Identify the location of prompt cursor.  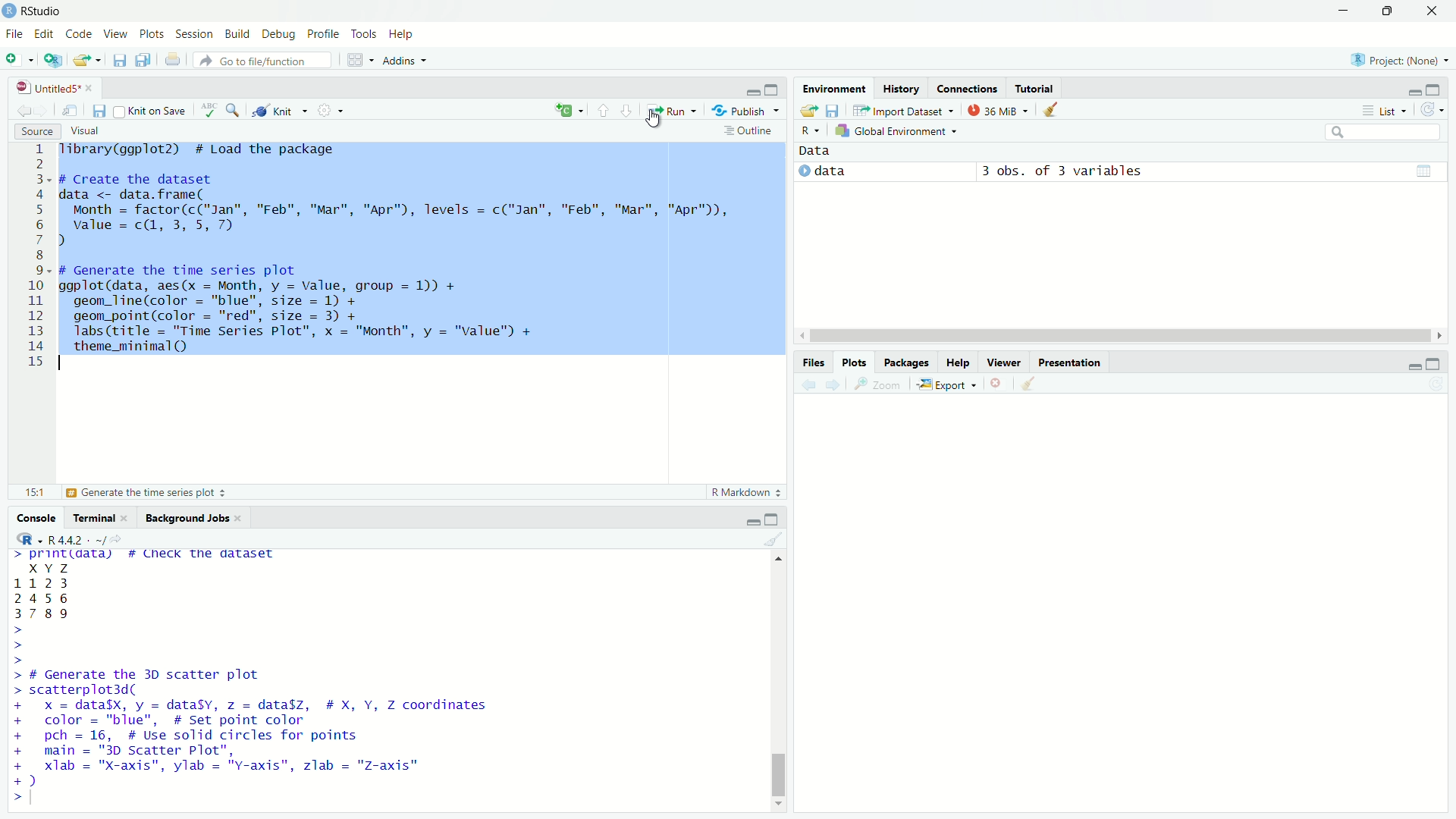
(10, 797).